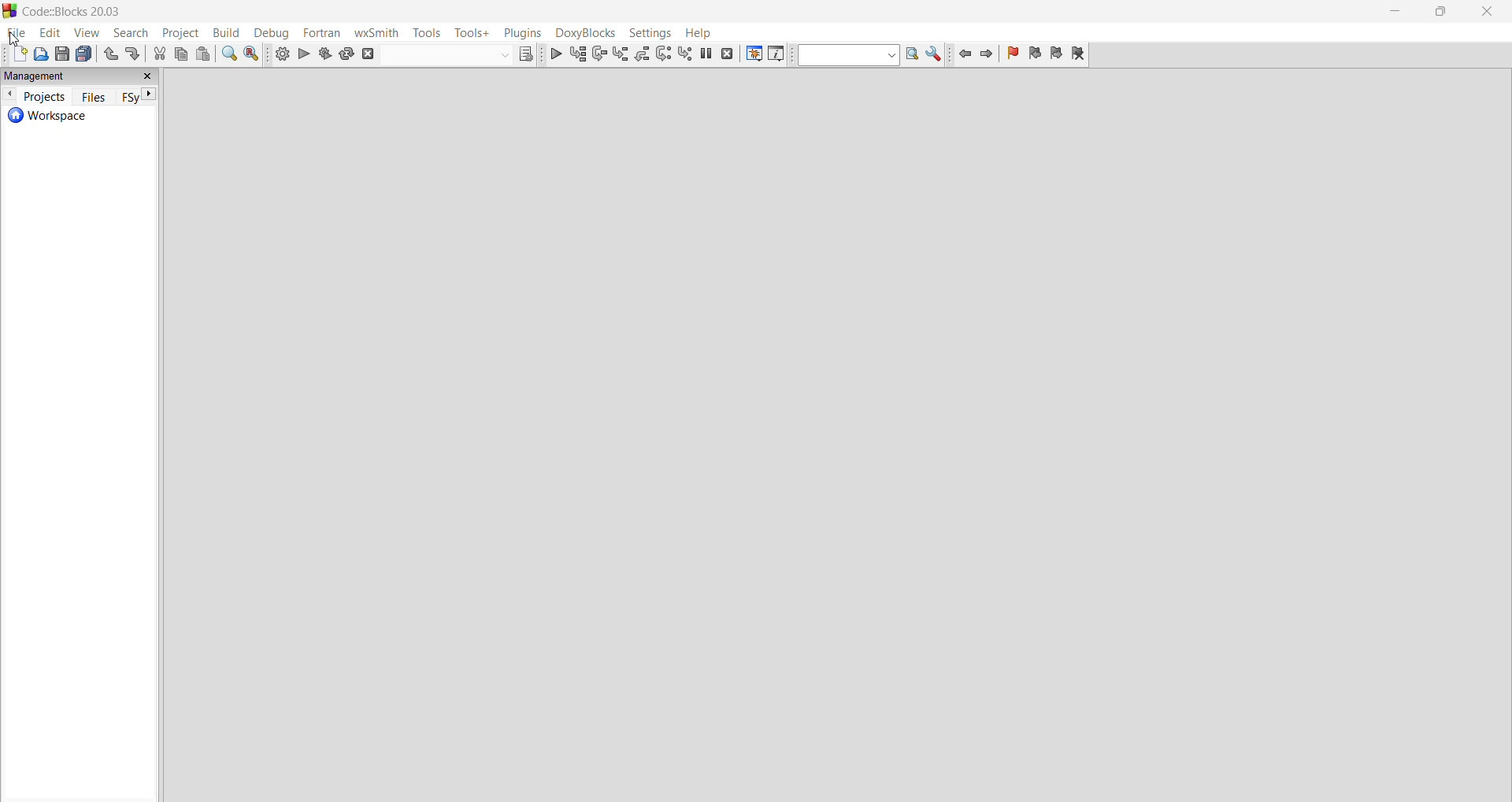  I want to click on clear bookmark, so click(1080, 54).